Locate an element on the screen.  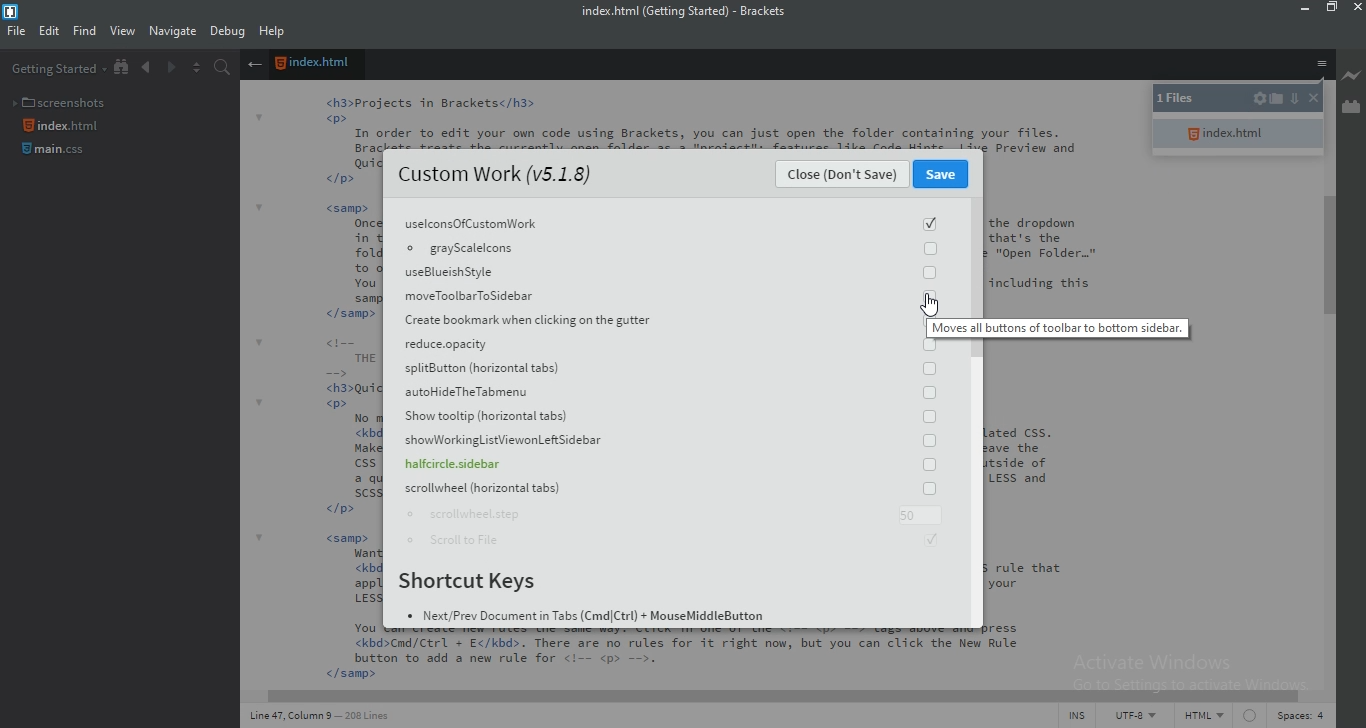
close is located at coordinates (843, 177).